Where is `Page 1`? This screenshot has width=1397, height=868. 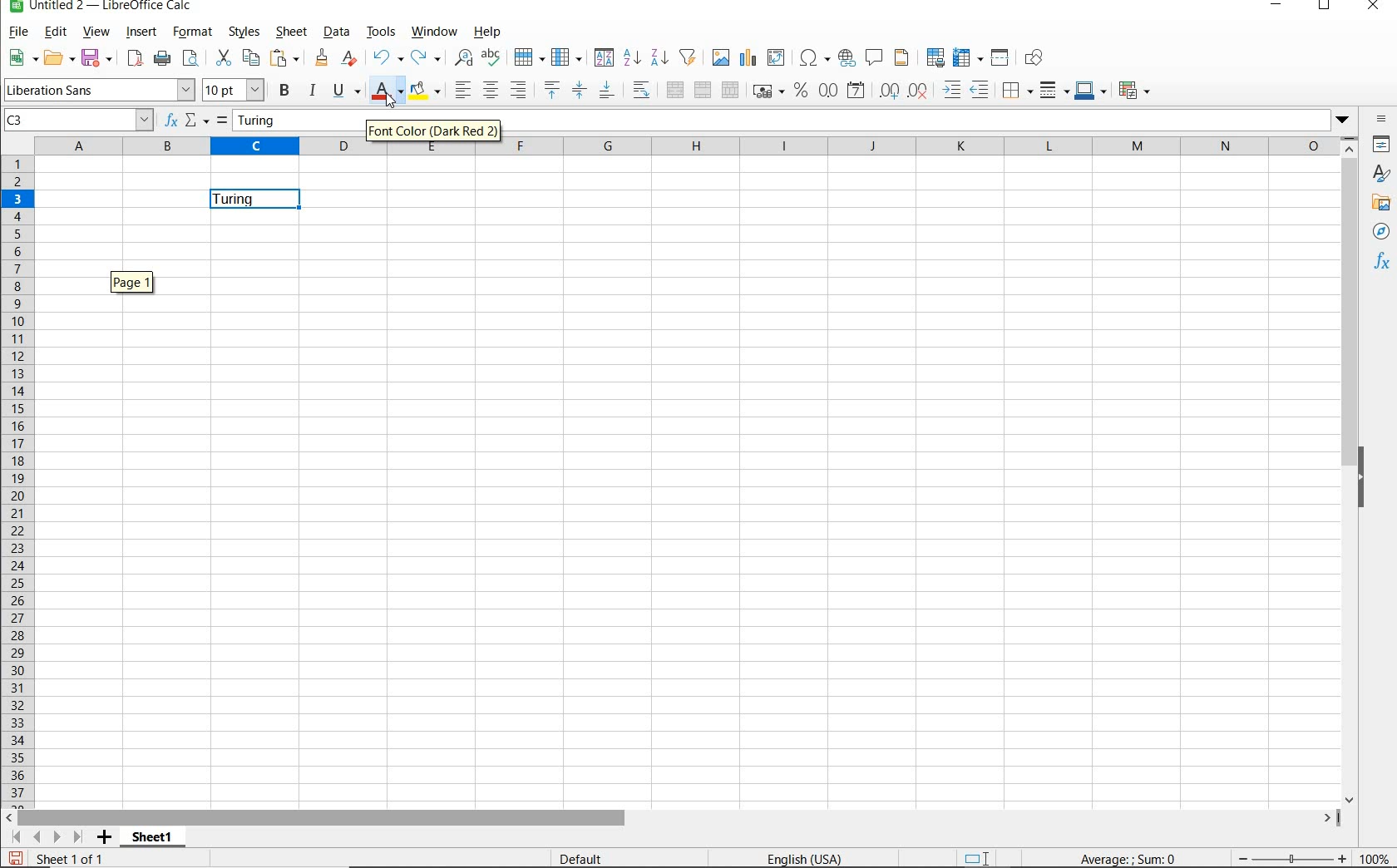
Page 1 is located at coordinates (131, 284).